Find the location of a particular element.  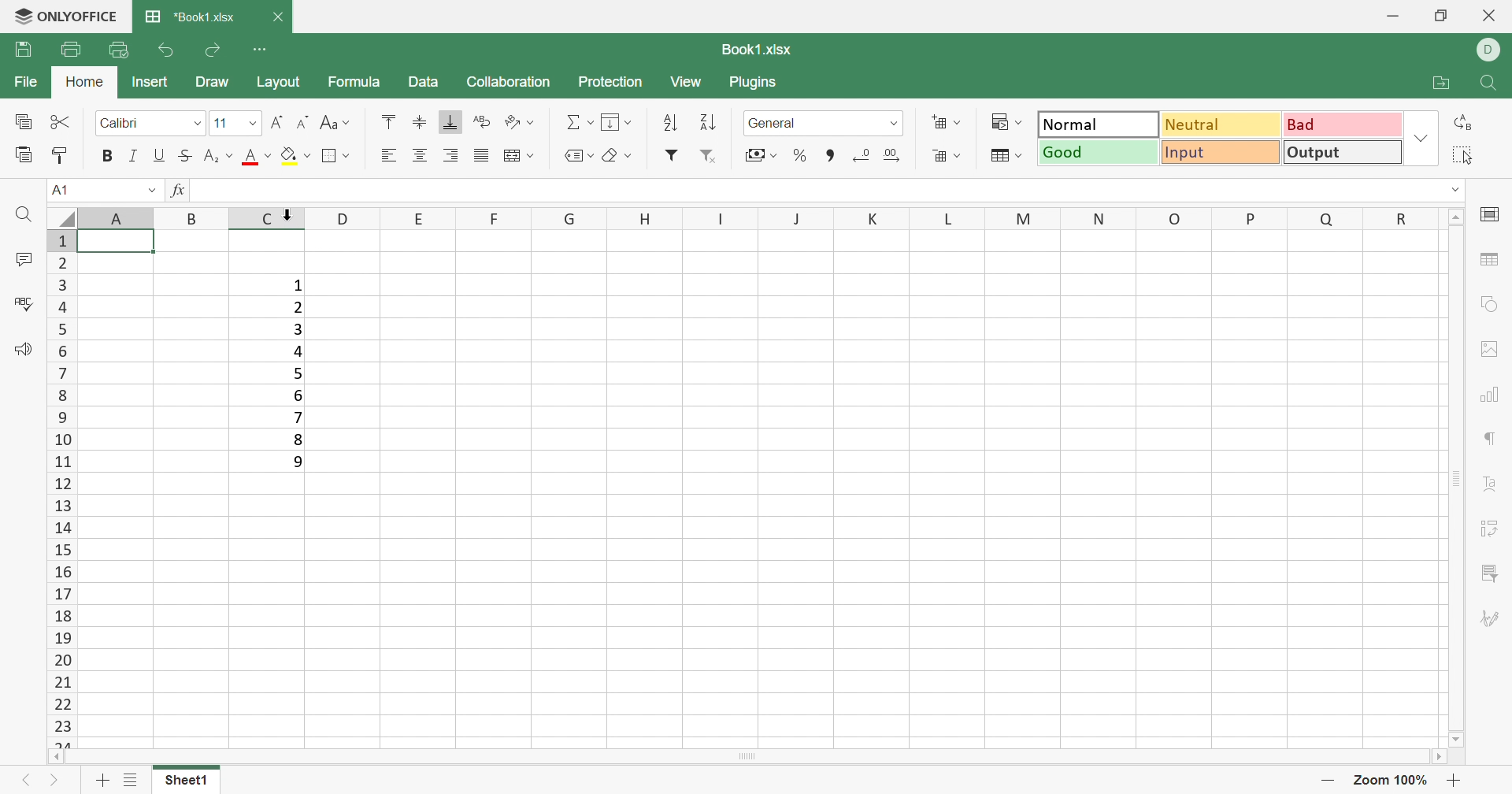

G is located at coordinates (562, 217).